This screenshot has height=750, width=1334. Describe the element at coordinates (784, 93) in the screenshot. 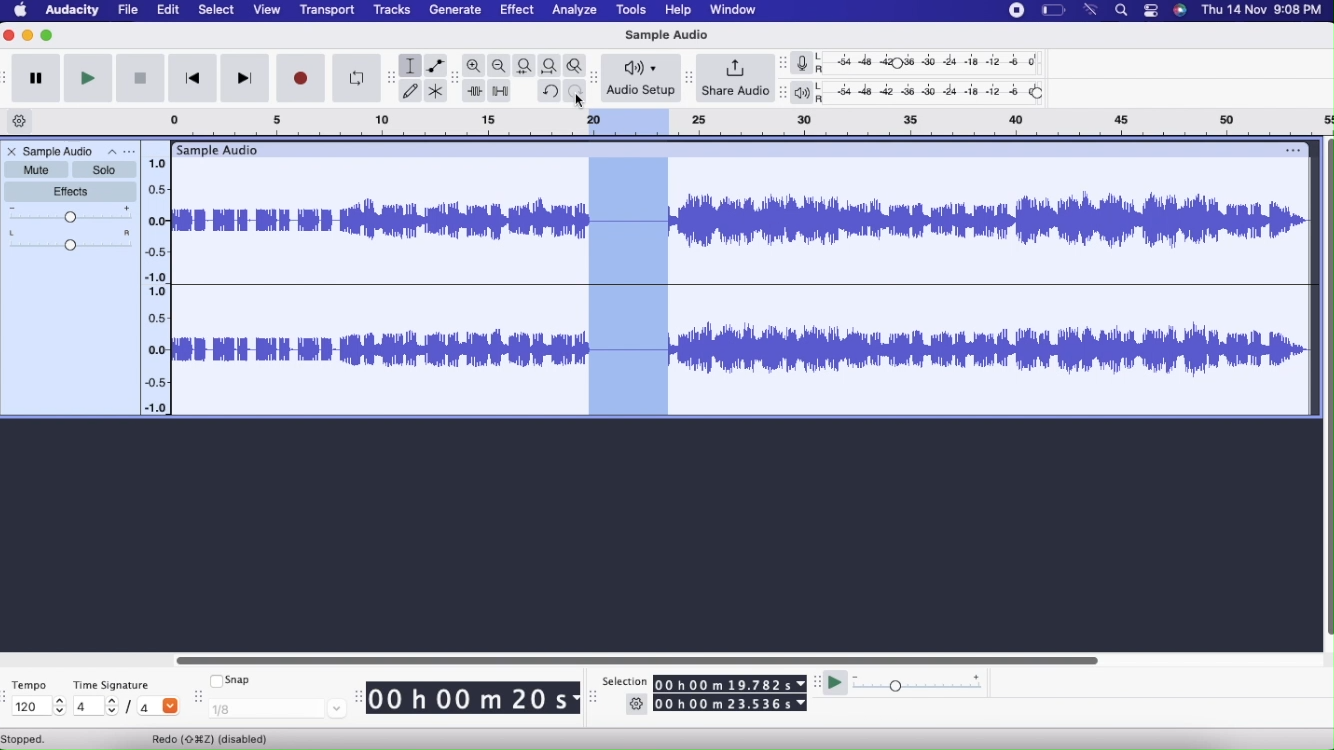

I see `move toolbar` at that location.